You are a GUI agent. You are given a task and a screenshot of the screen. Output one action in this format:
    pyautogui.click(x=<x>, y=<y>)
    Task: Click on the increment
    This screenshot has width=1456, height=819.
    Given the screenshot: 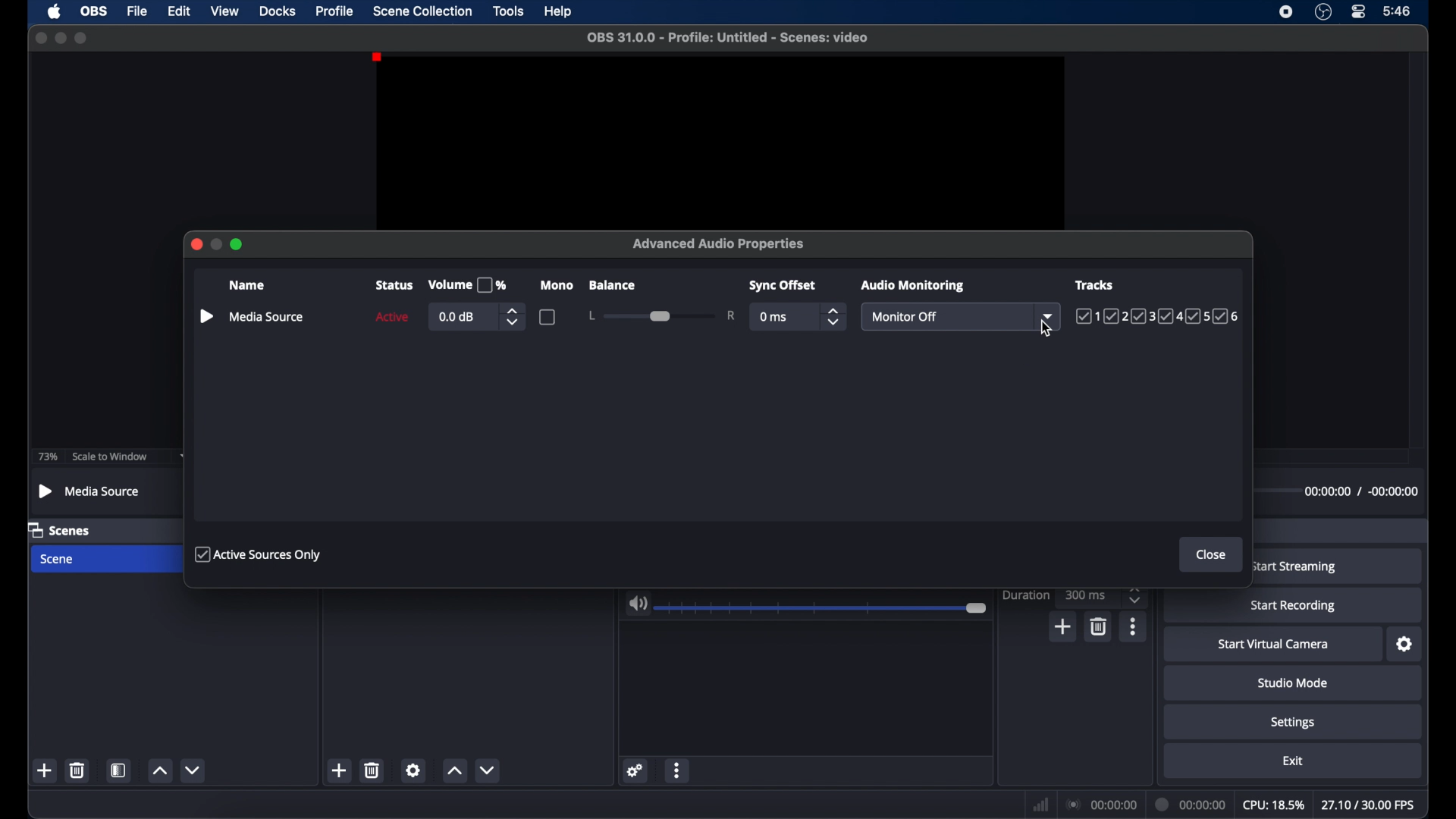 What is the action you would take?
    pyautogui.click(x=159, y=771)
    